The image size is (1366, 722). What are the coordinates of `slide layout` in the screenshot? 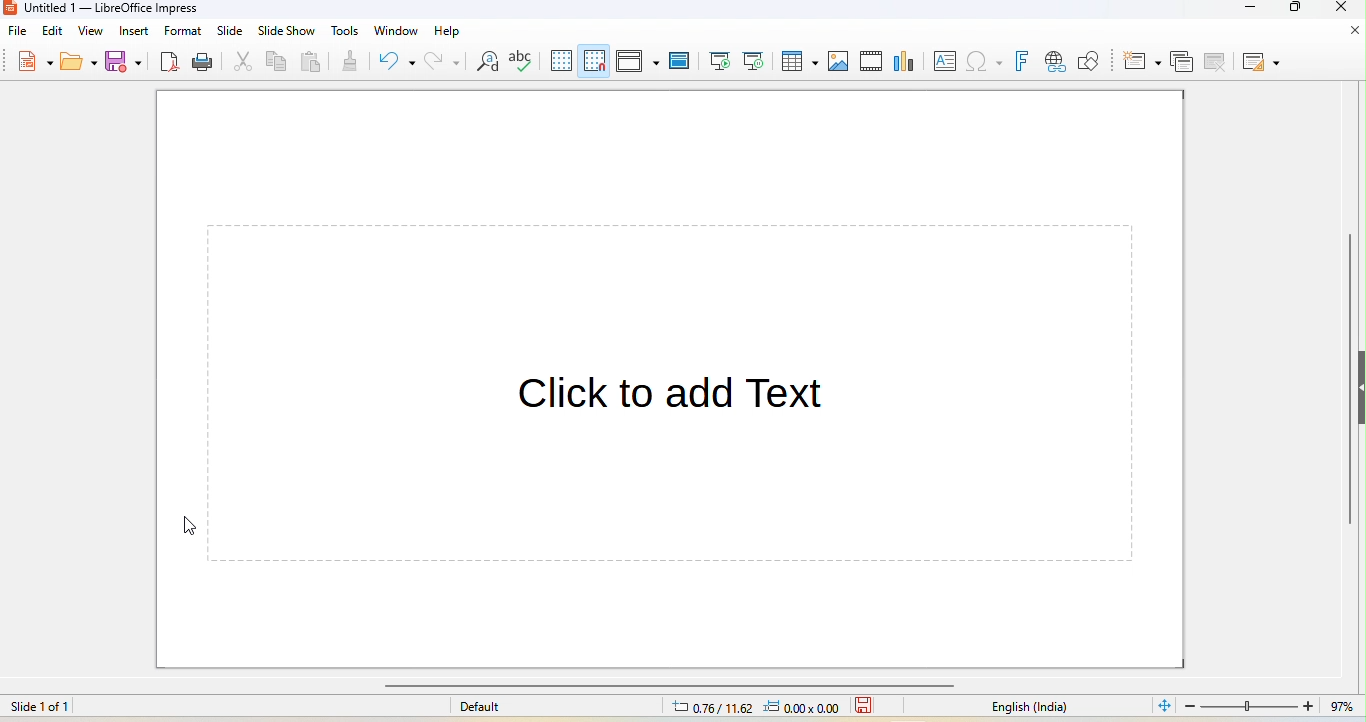 It's located at (1260, 63).